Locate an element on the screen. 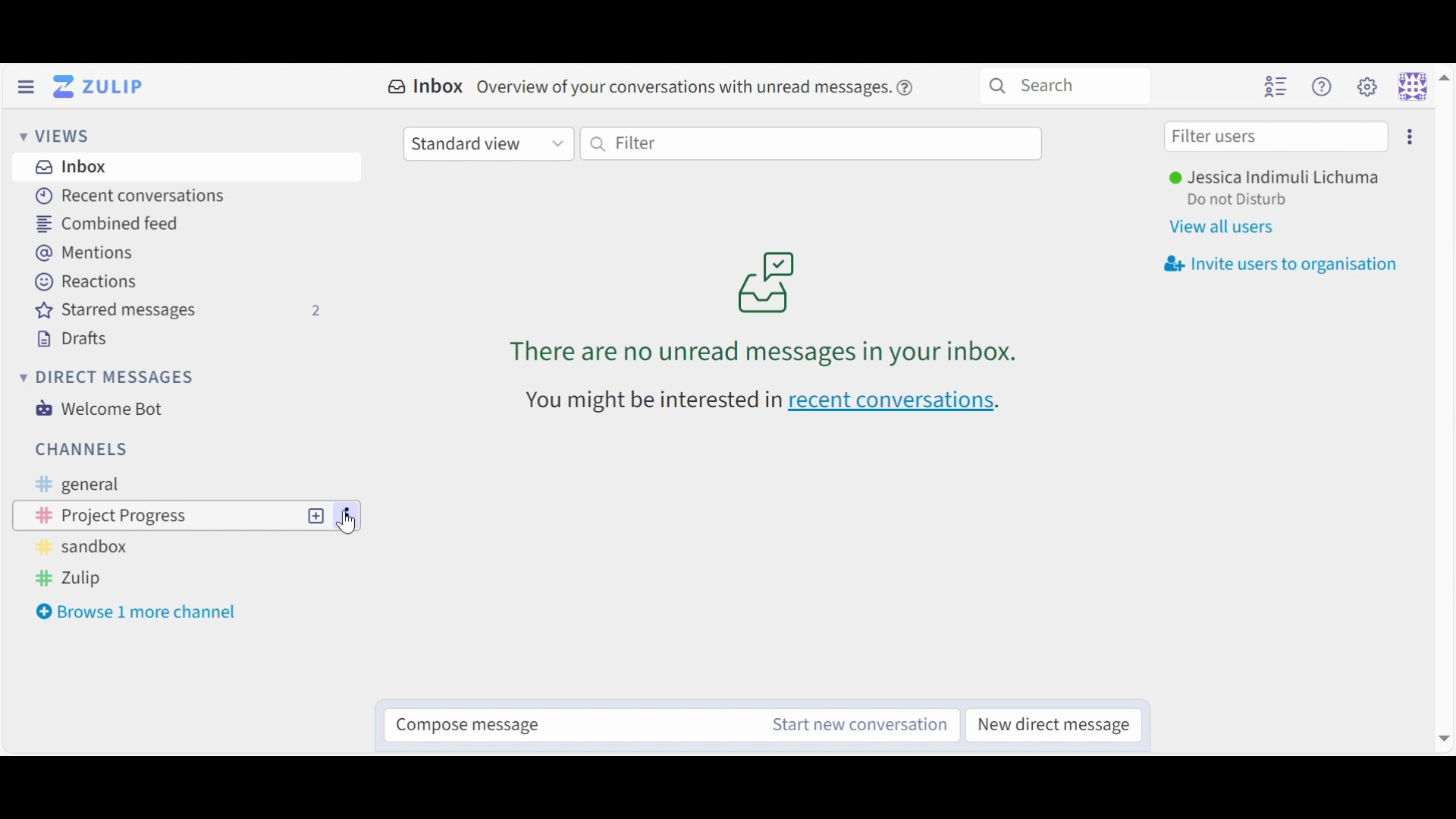  # sandbox is located at coordinates (82, 548).